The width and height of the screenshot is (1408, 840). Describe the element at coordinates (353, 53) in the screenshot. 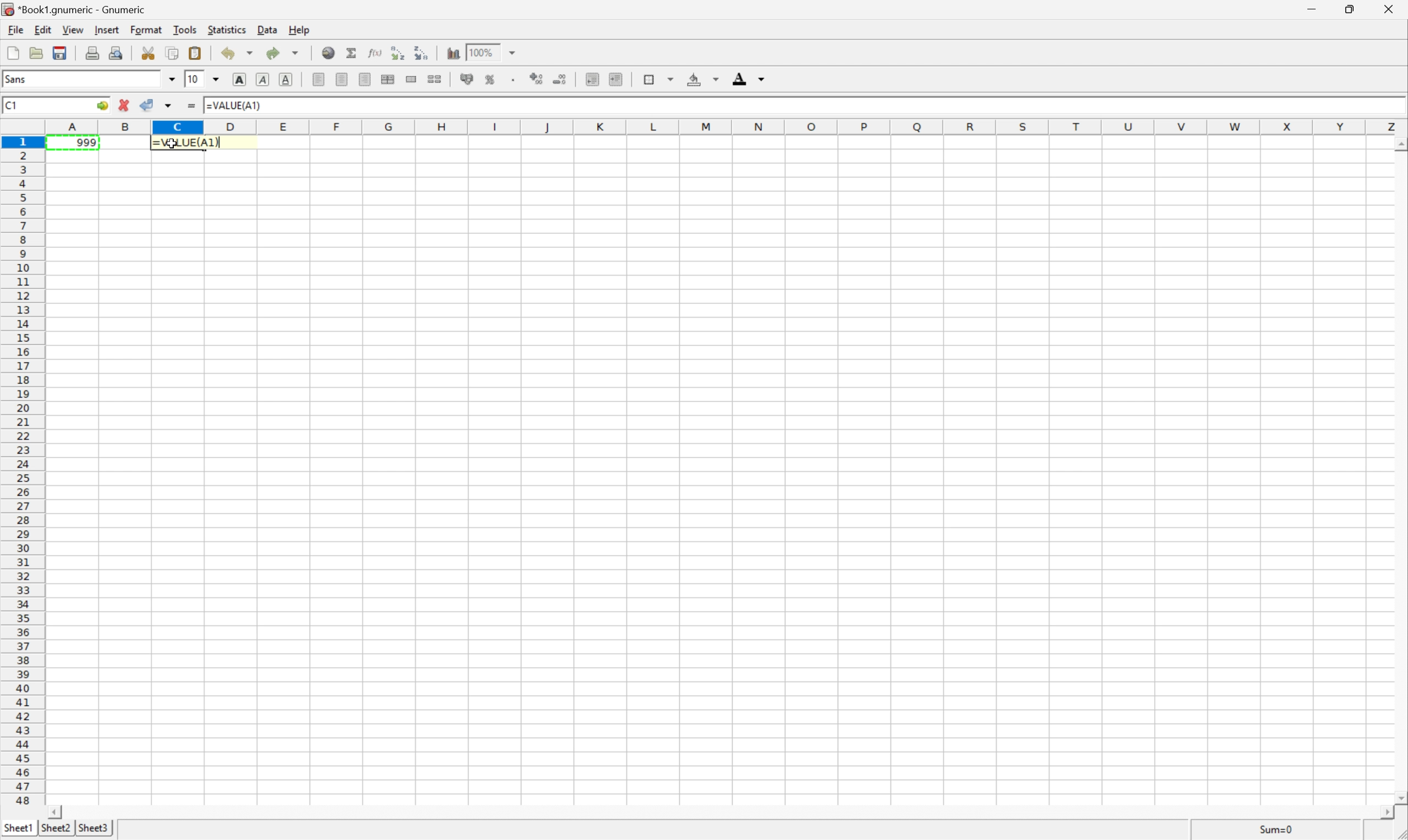

I see `sum in current cell` at that location.